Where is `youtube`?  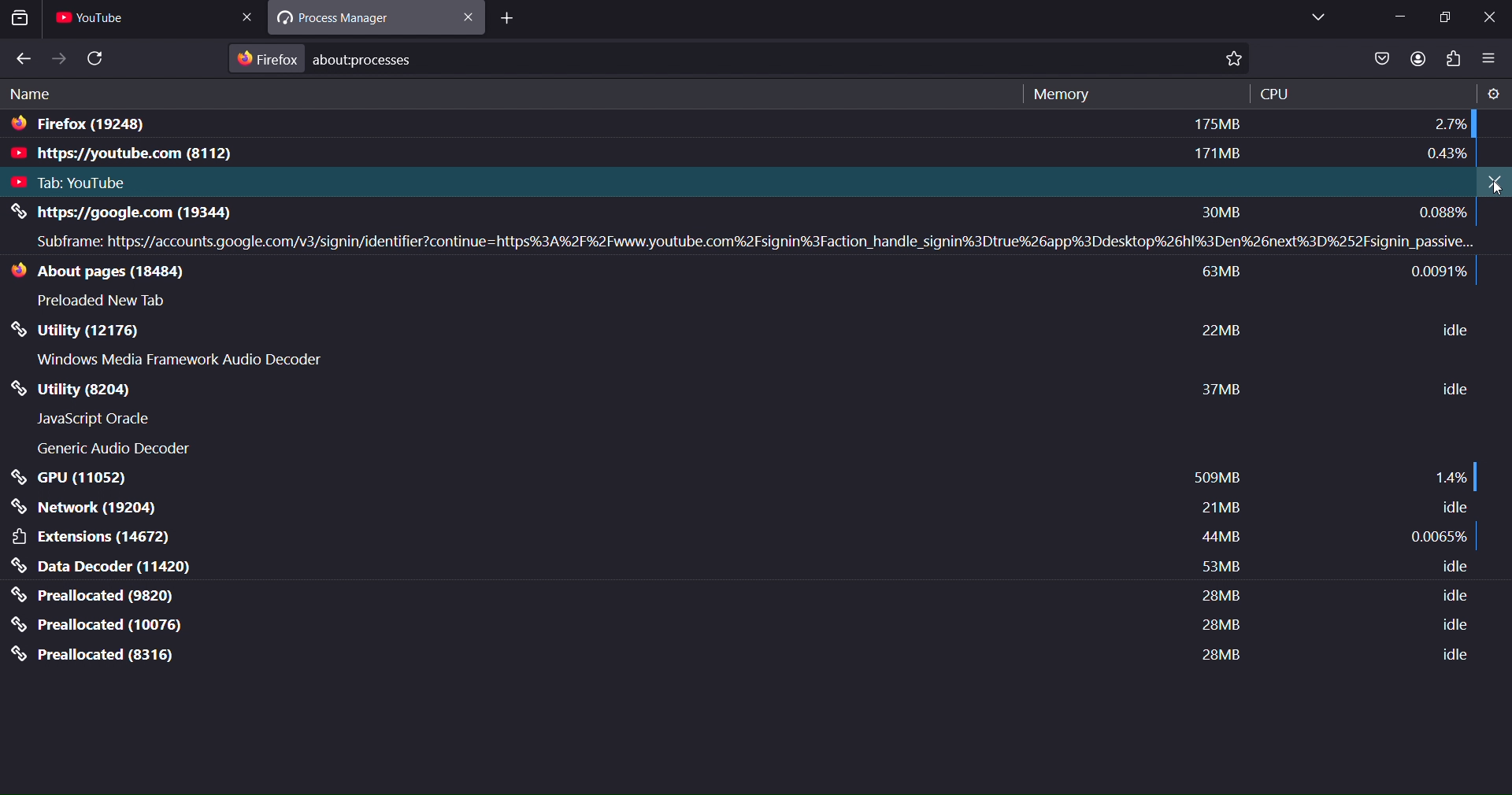
youtube is located at coordinates (98, 20).